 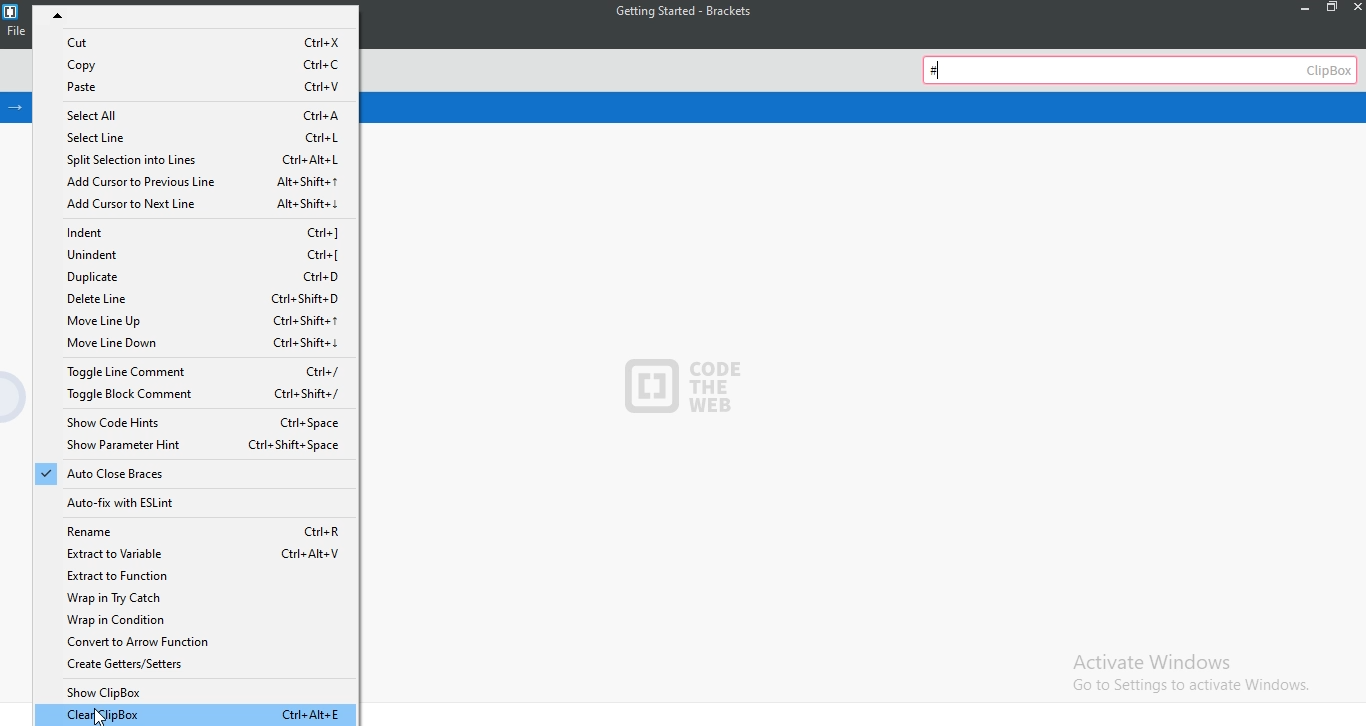 What do you see at coordinates (11, 11) in the screenshot?
I see `Logo` at bounding box center [11, 11].